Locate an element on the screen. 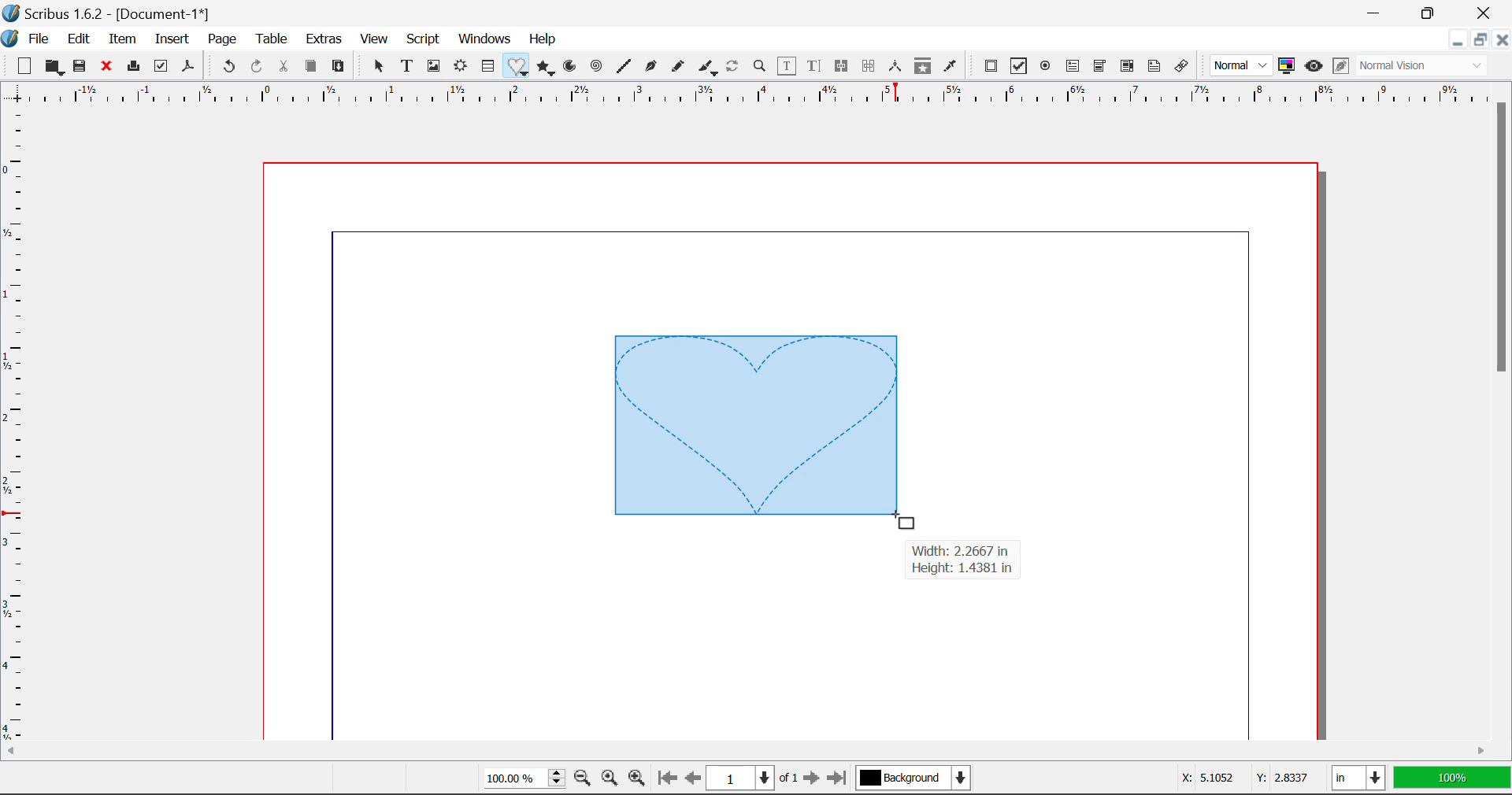 Image resolution: width=1512 pixels, height=795 pixels. View is located at coordinates (375, 41).